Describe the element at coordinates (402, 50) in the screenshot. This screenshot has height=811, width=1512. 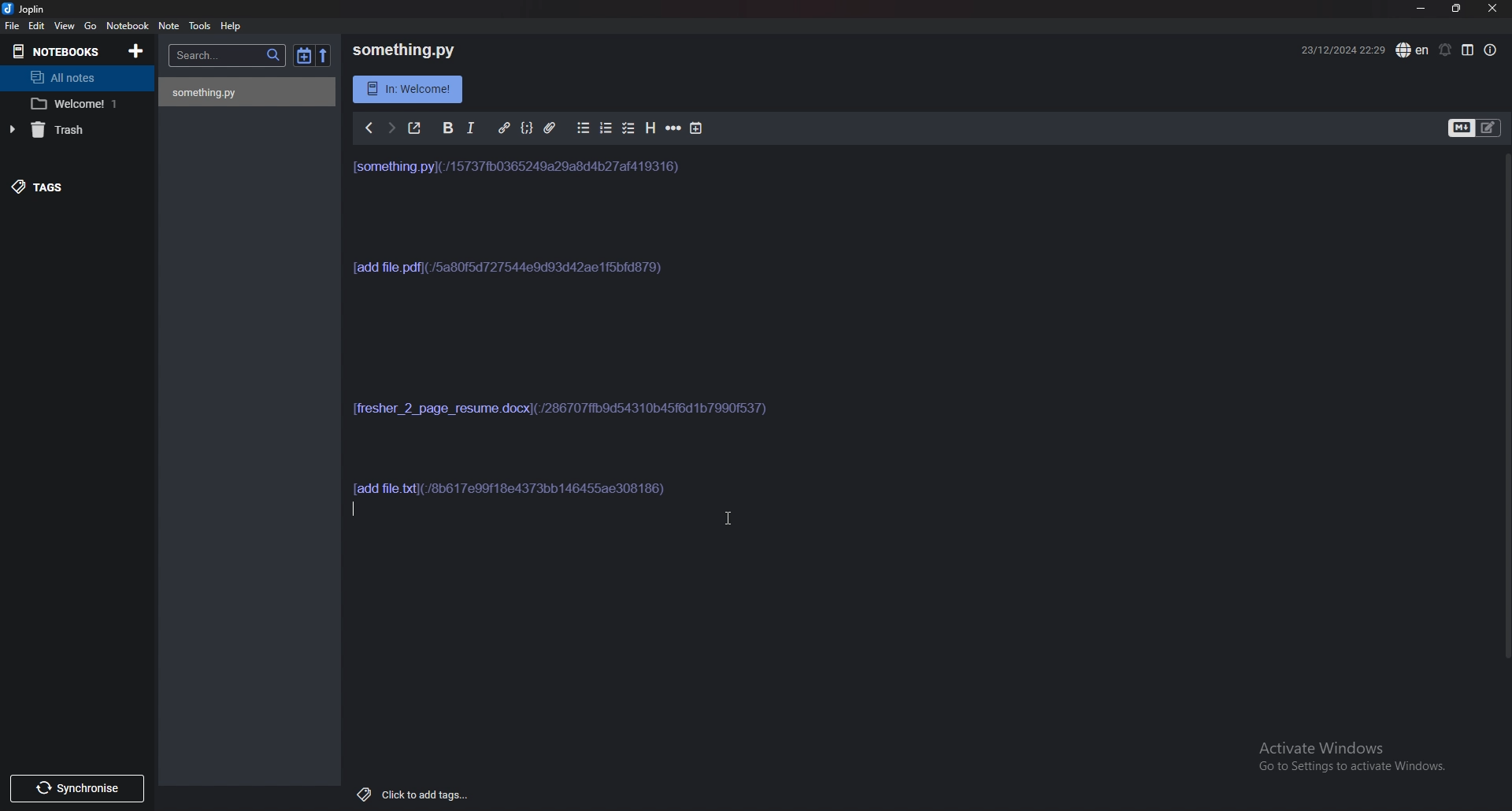
I see `something.py` at that location.